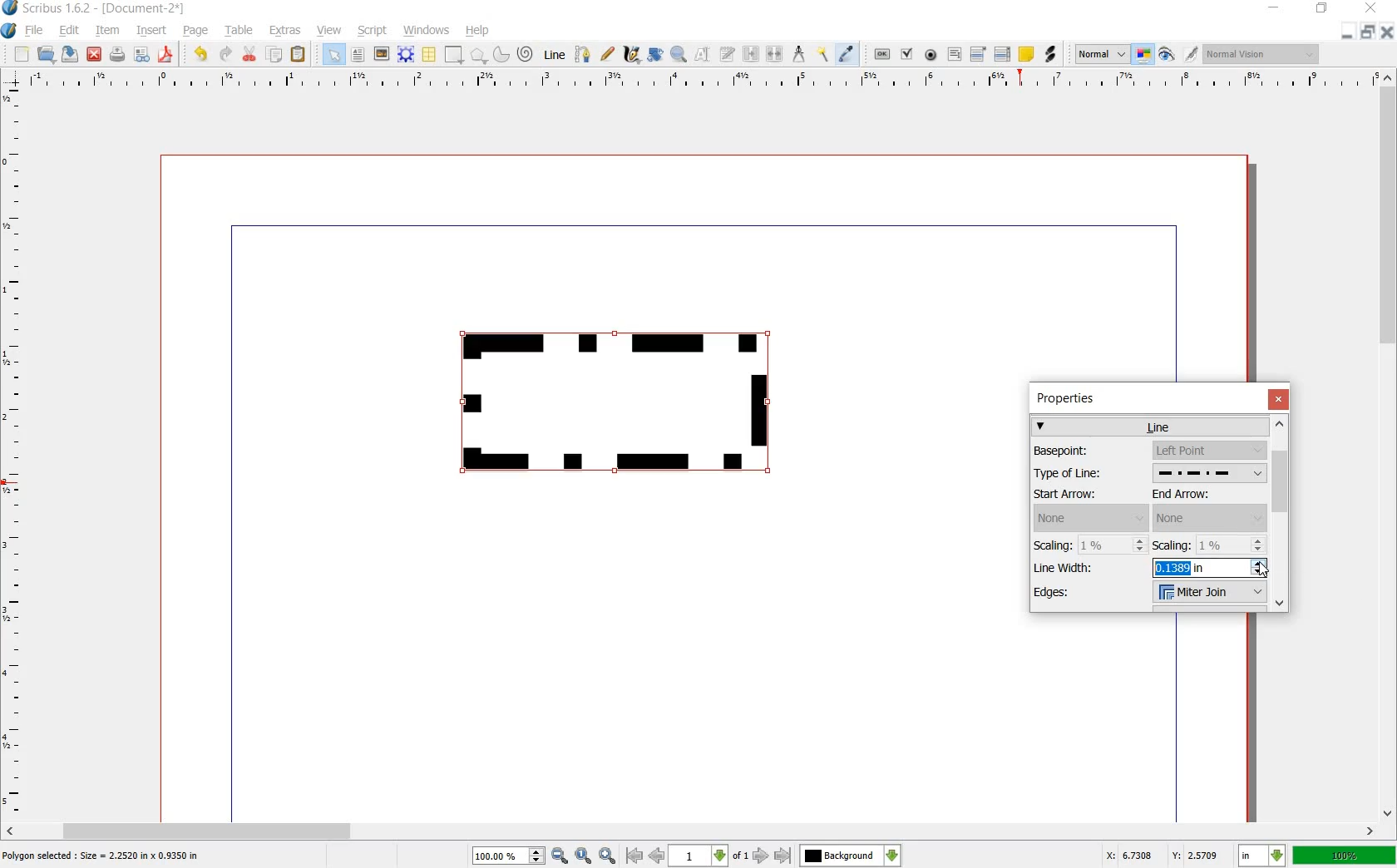 The height and width of the screenshot is (868, 1397). I want to click on ARC, so click(501, 53).